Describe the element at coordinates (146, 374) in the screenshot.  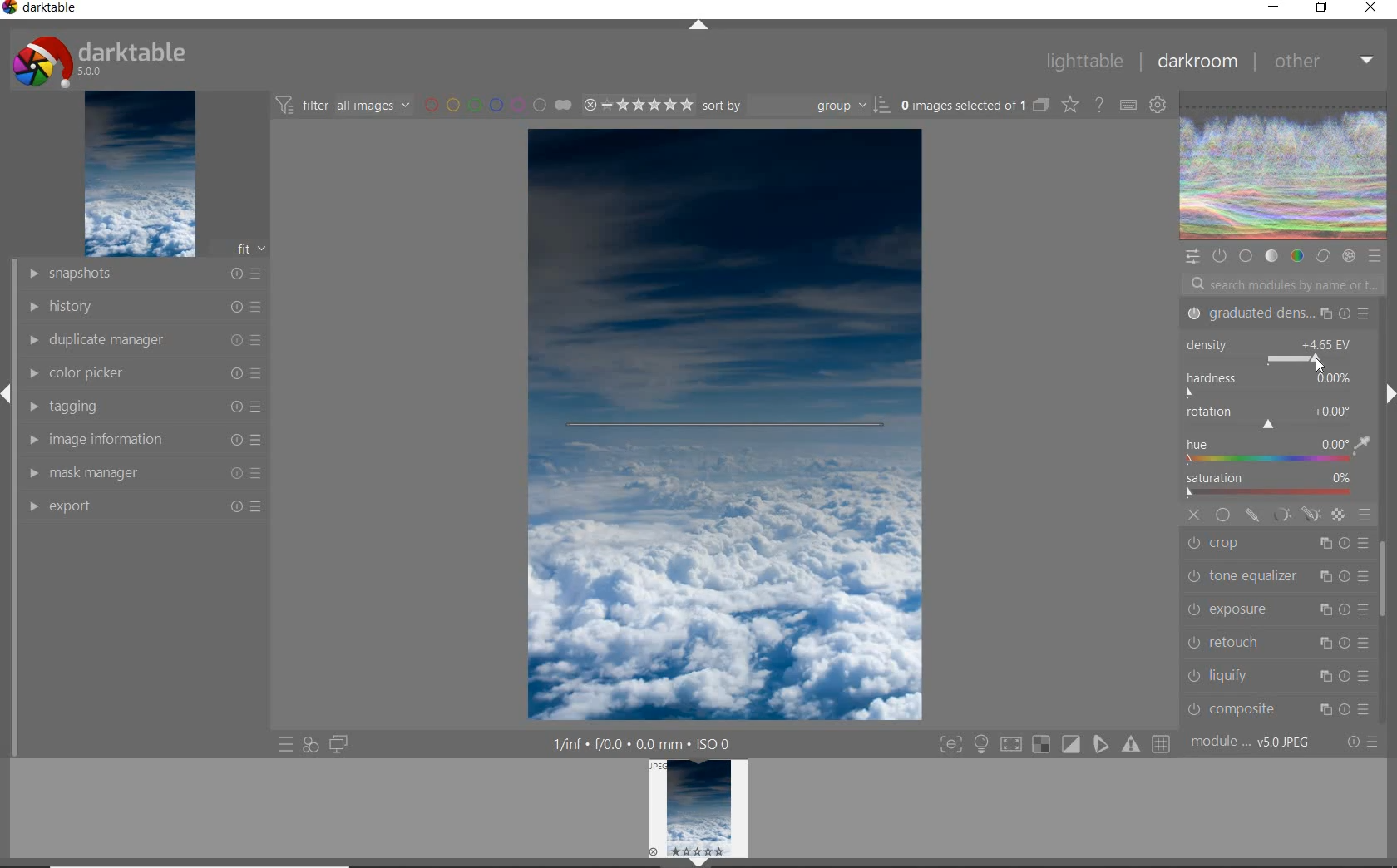
I see `COLOR PICKER` at that location.